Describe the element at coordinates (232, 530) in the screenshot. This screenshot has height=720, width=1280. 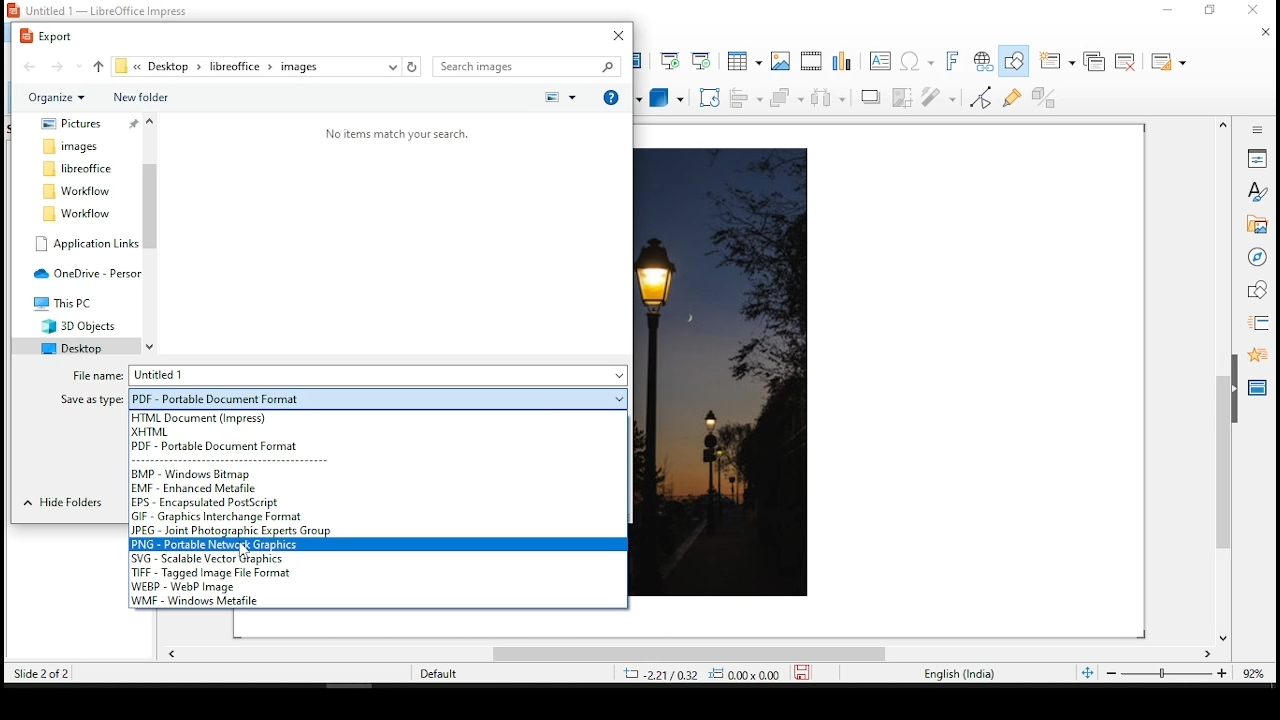
I see `jpeg` at that location.